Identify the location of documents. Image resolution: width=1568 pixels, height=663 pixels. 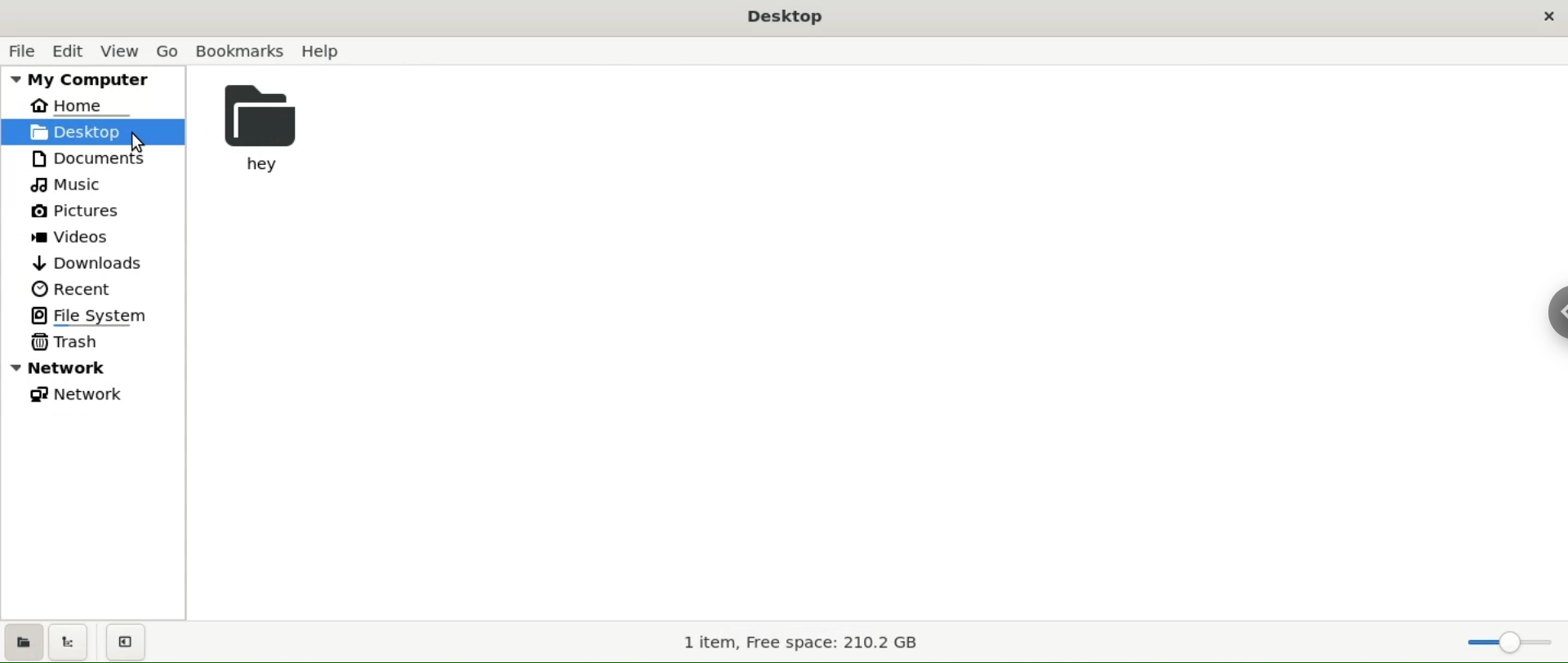
(91, 156).